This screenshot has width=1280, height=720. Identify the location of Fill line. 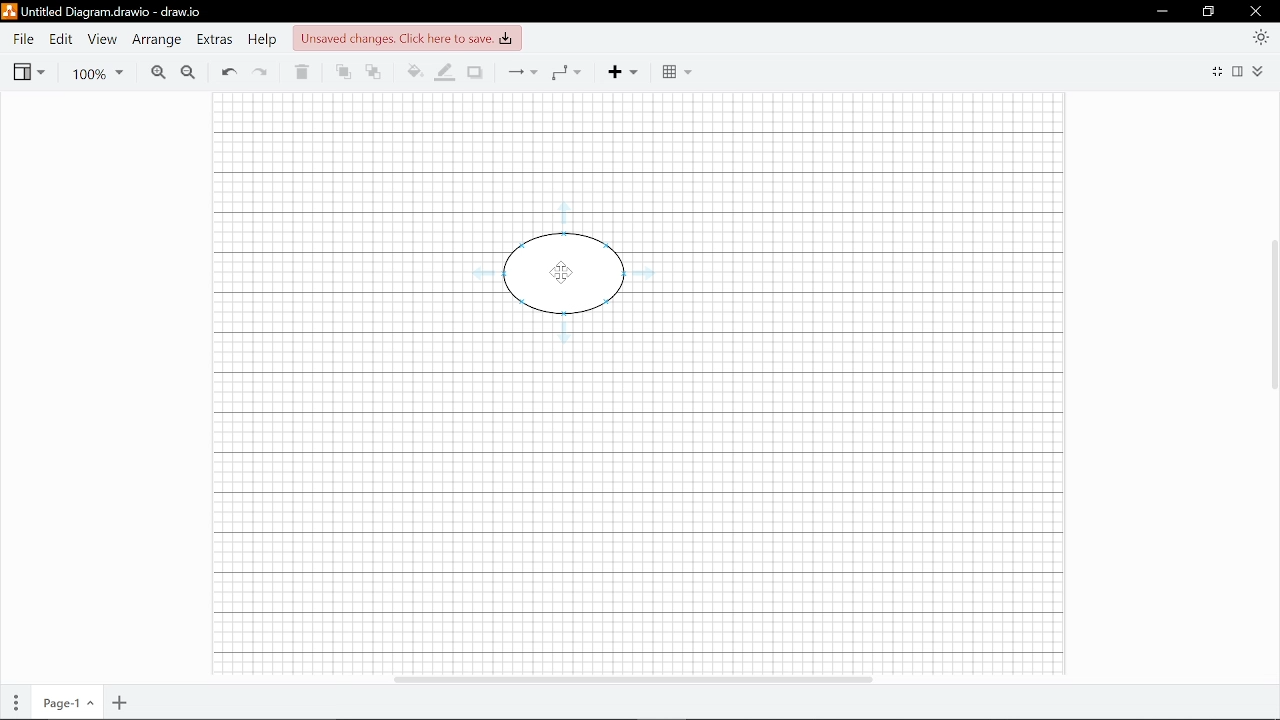
(446, 73).